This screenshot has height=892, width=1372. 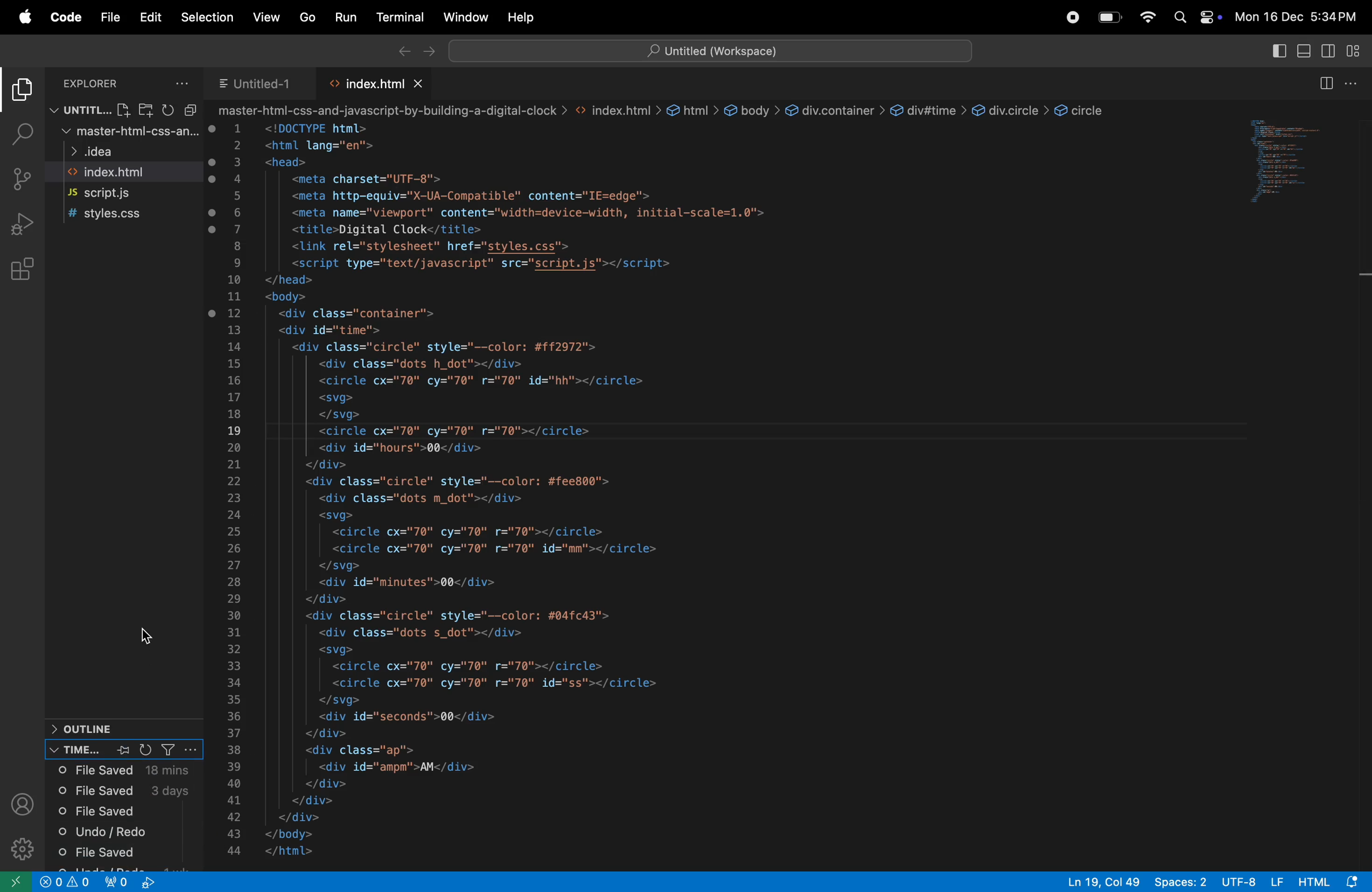 What do you see at coordinates (328, 733) in the screenshot?
I see `</div>` at bounding box center [328, 733].